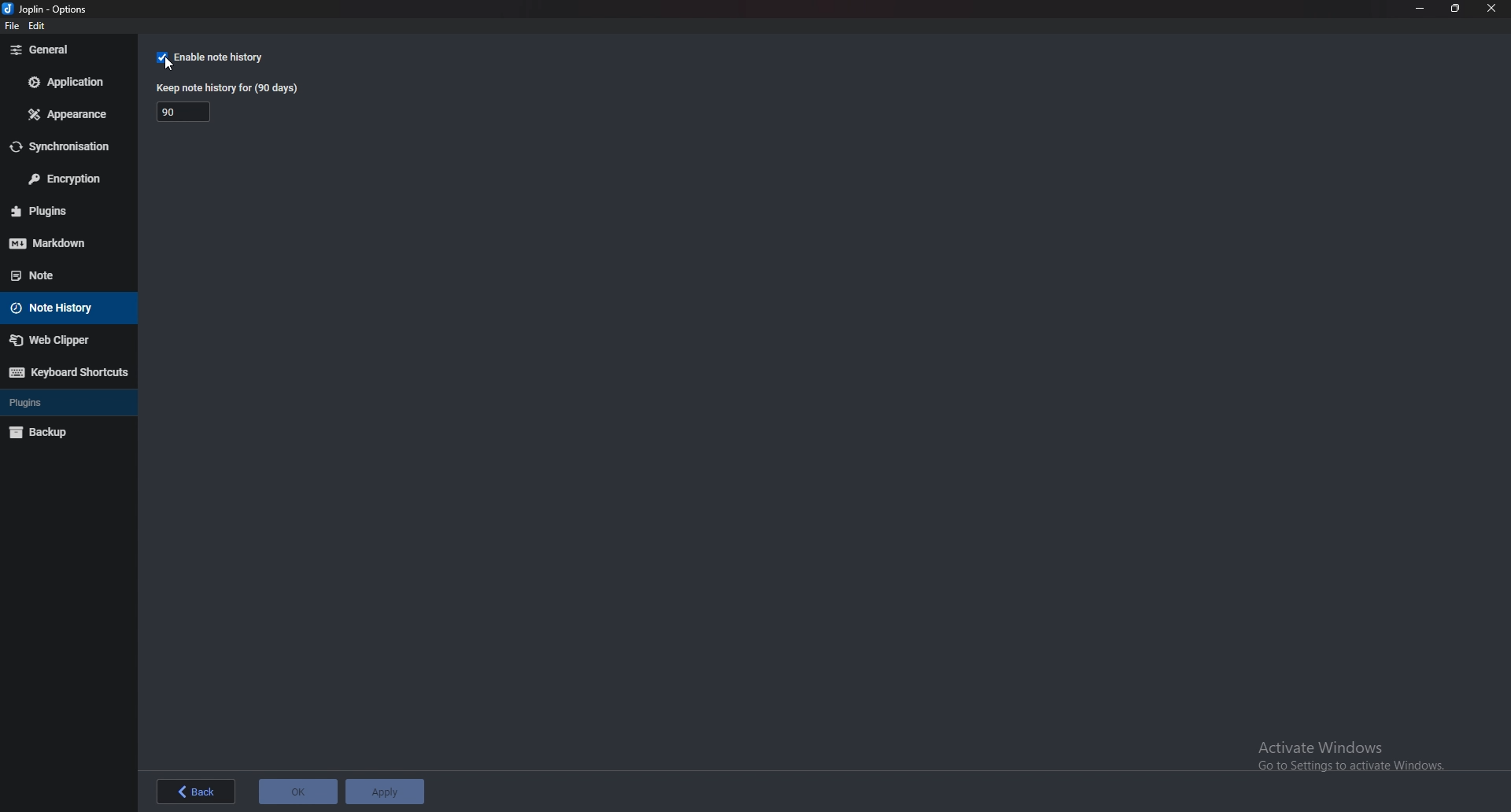 This screenshot has width=1511, height=812. I want to click on edit, so click(39, 26).